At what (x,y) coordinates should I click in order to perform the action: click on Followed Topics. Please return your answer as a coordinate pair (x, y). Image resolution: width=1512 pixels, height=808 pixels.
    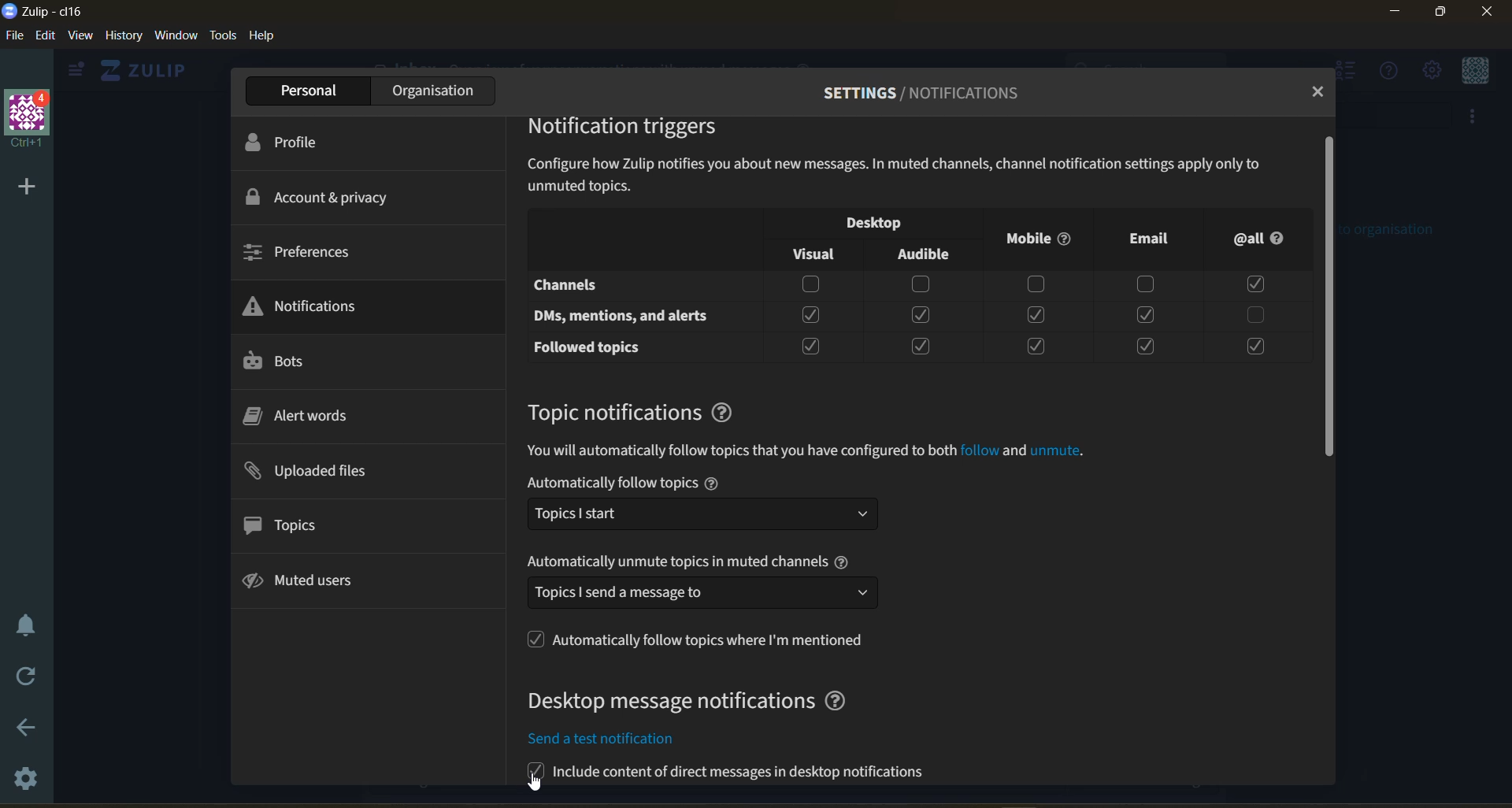
    Looking at the image, I should click on (590, 347).